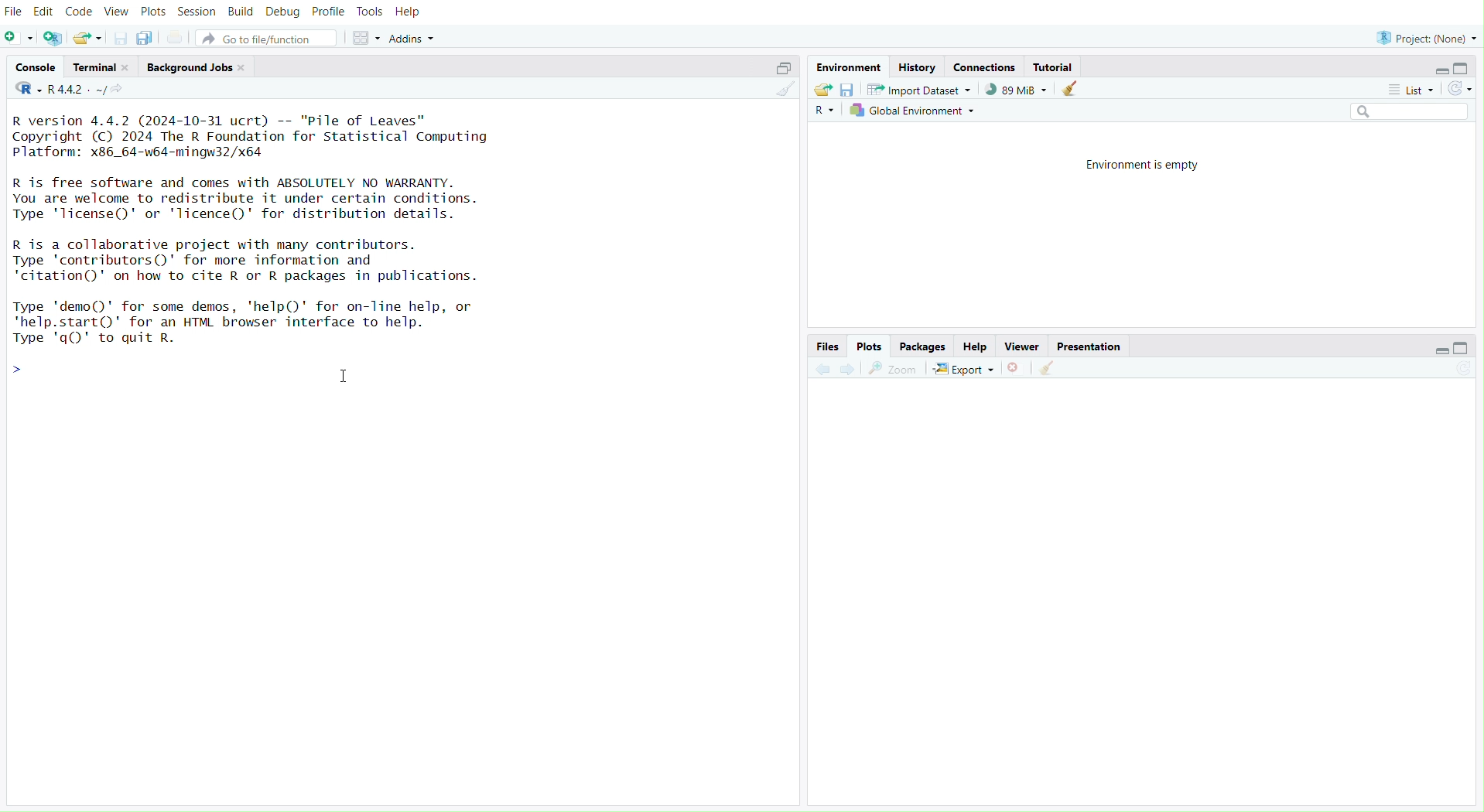 This screenshot has height=812, width=1484. Describe the element at coordinates (850, 367) in the screenshot. I see `Go forward to the next source location (Ctrl + F10)` at that location.